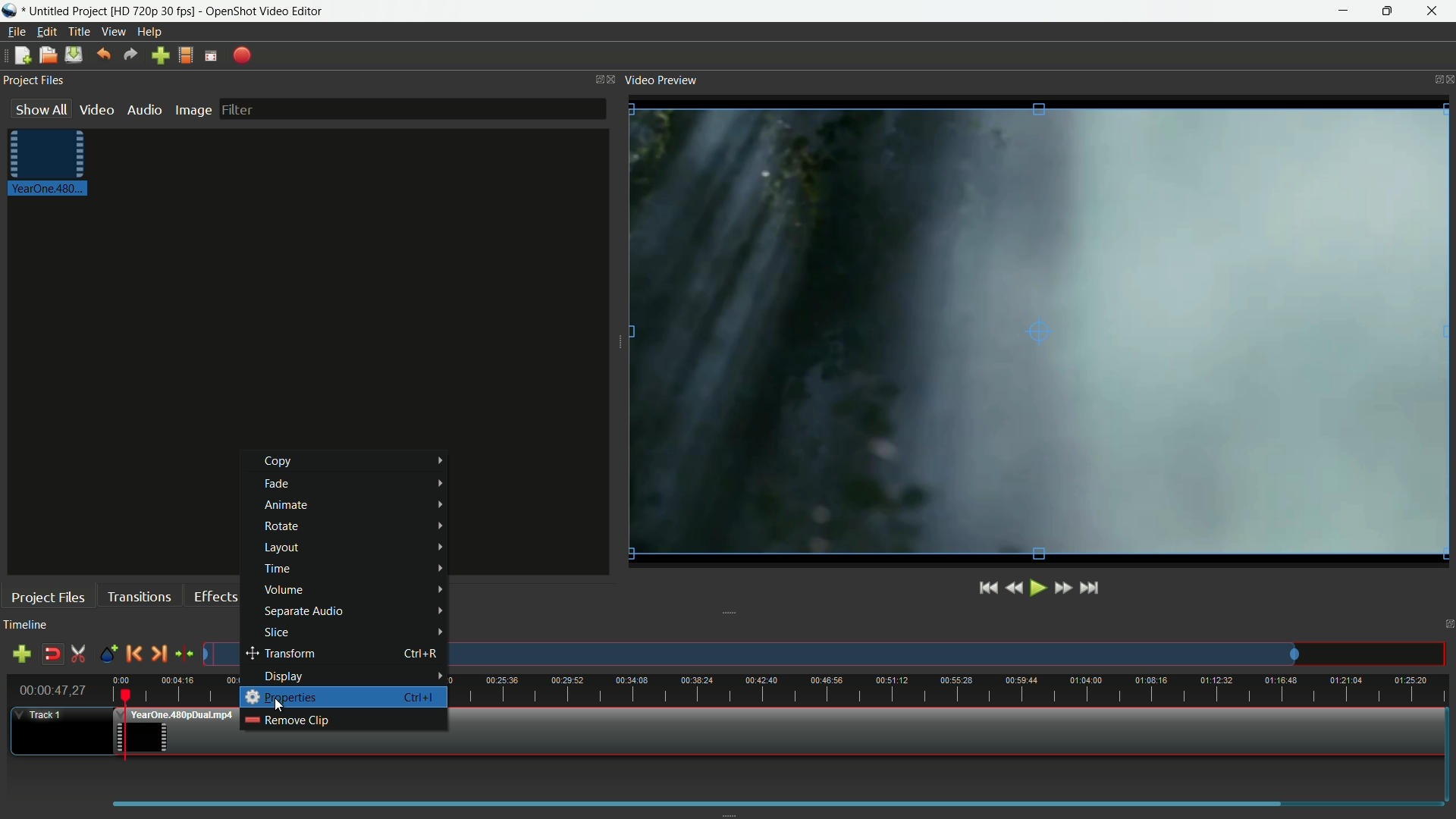  What do you see at coordinates (143, 109) in the screenshot?
I see `audio` at bounding box center [143, 109].